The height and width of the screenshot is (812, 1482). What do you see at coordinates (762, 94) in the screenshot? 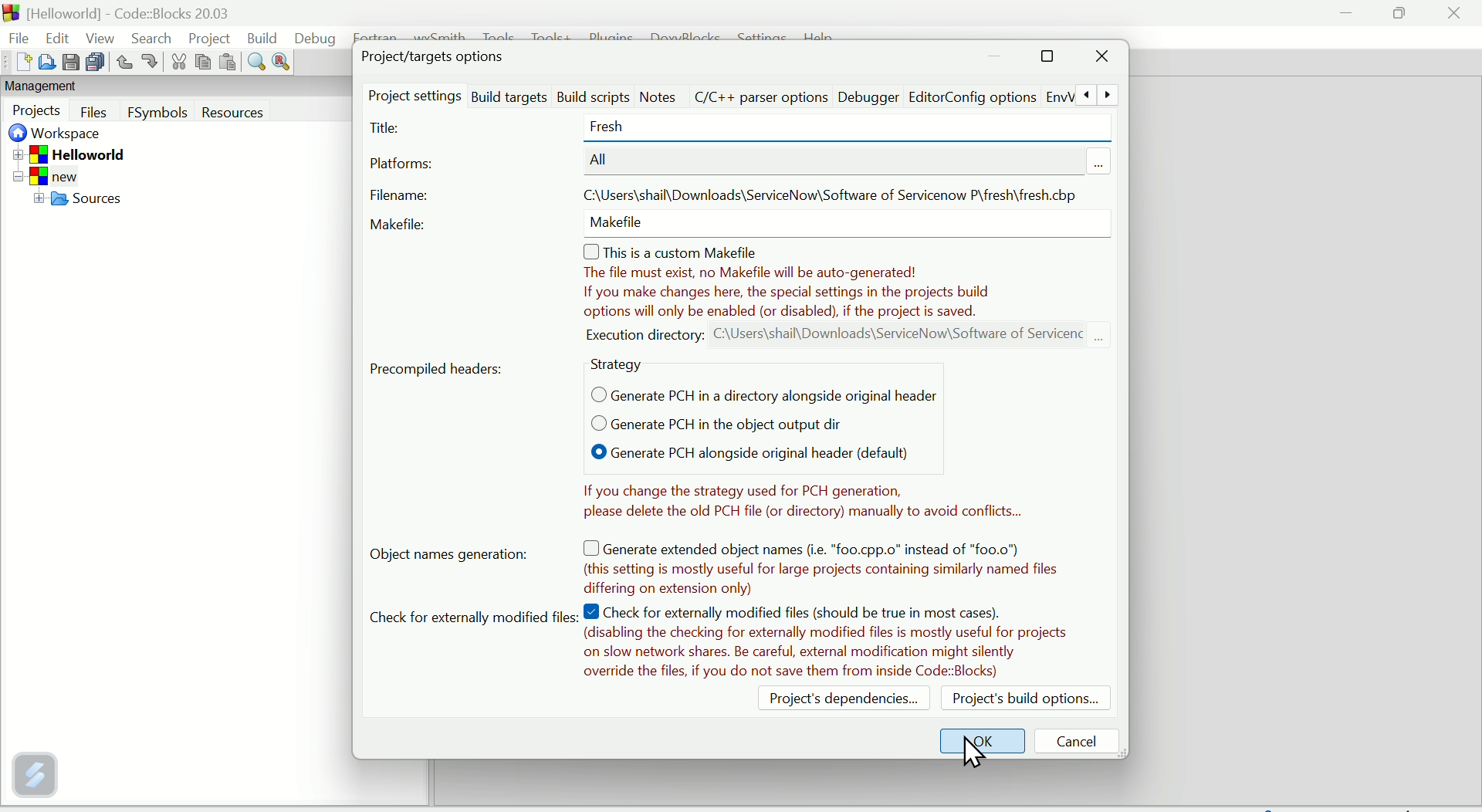
I see `C/C++ parser option` at bounding box center [762, 94].